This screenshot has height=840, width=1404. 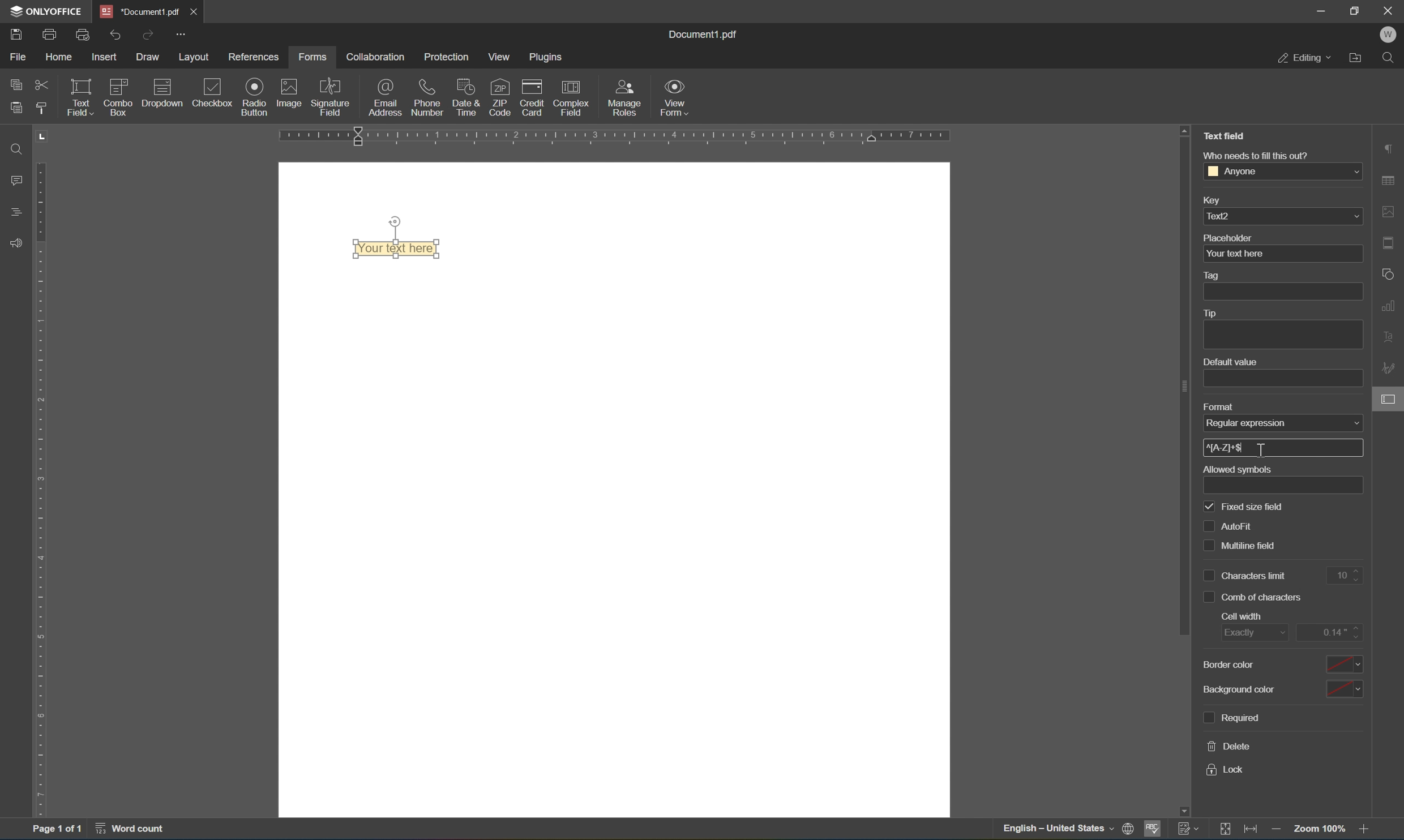 What do you see at coordinates (18, 150) in the screenshot?
I see `Find` at bounding box center [18, 150].